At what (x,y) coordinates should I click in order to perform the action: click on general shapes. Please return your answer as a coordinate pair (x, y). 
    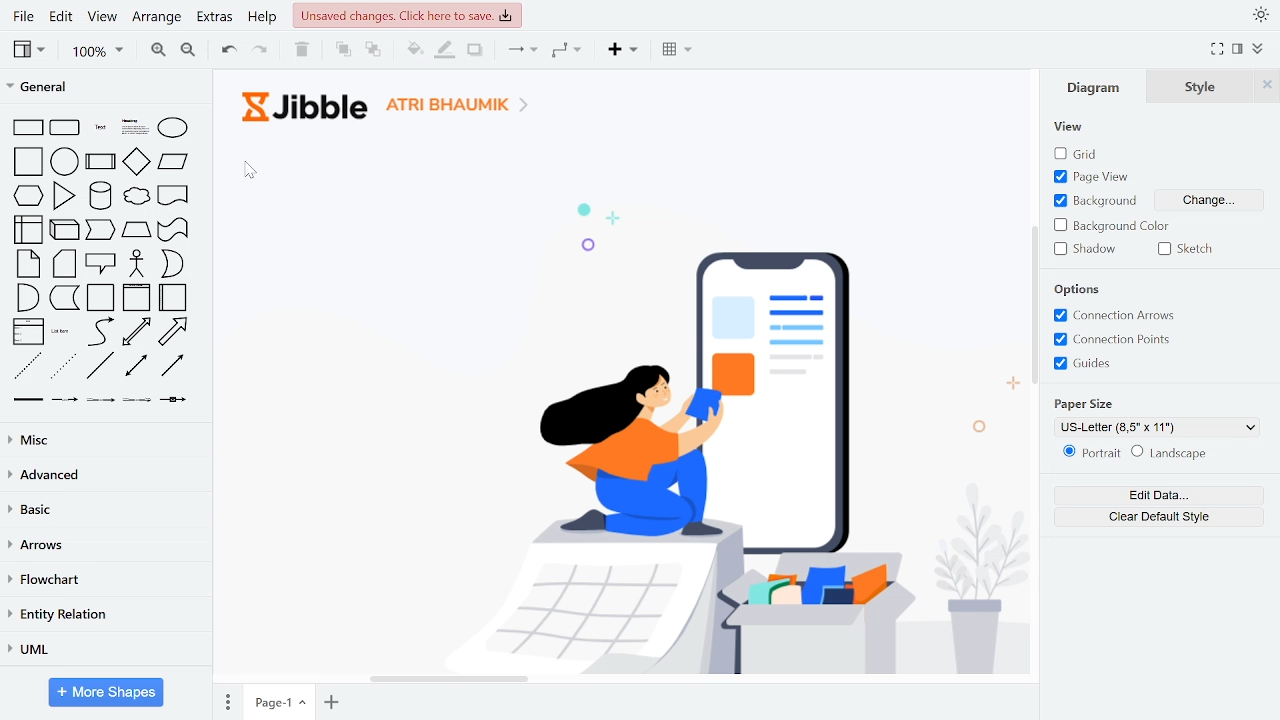
    Looking at the image, I should click on (61, 125).